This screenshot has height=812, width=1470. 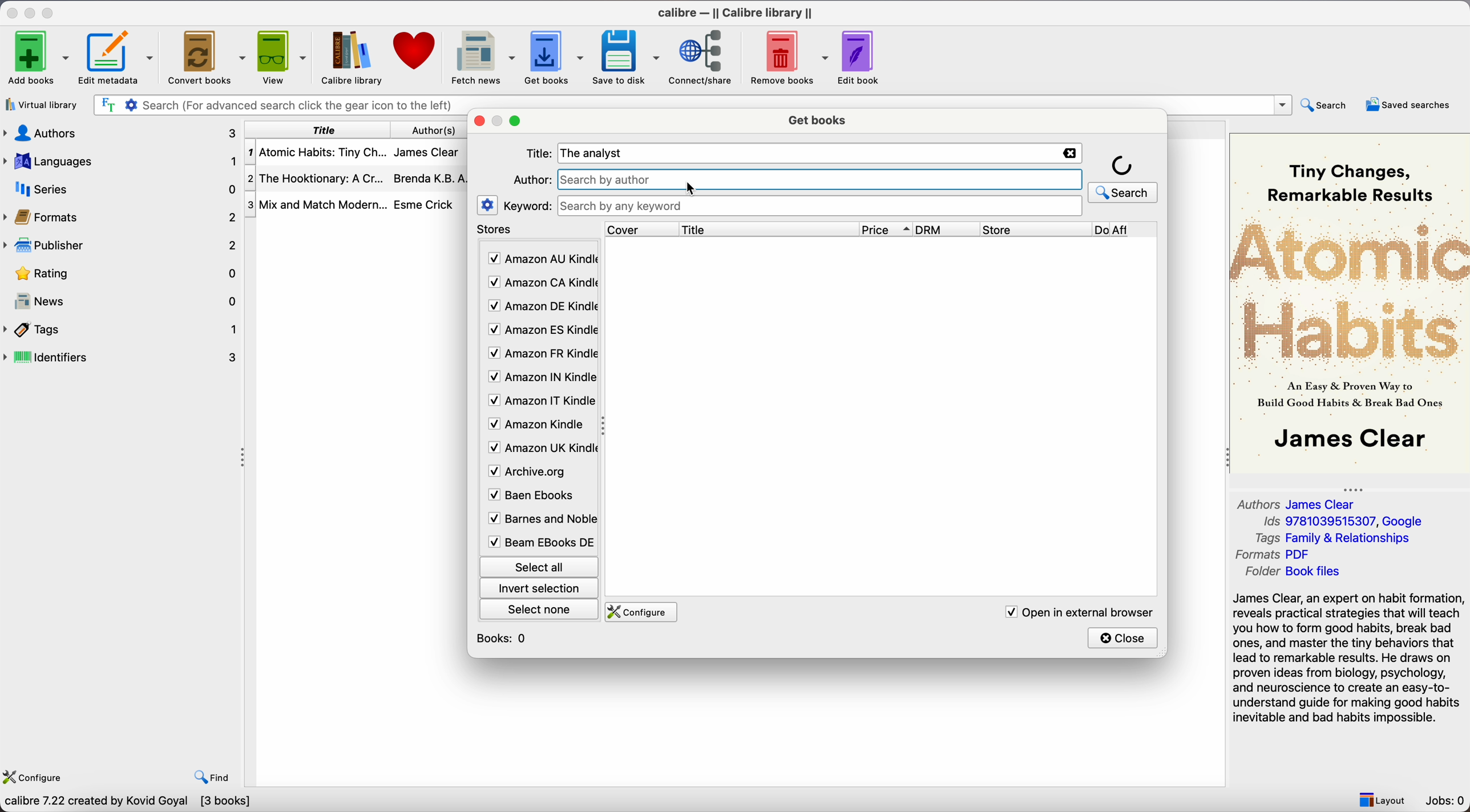 What do you see at coordinates (215, 778) in the screenshot?
I see `find` at bounding box center [215, 778].